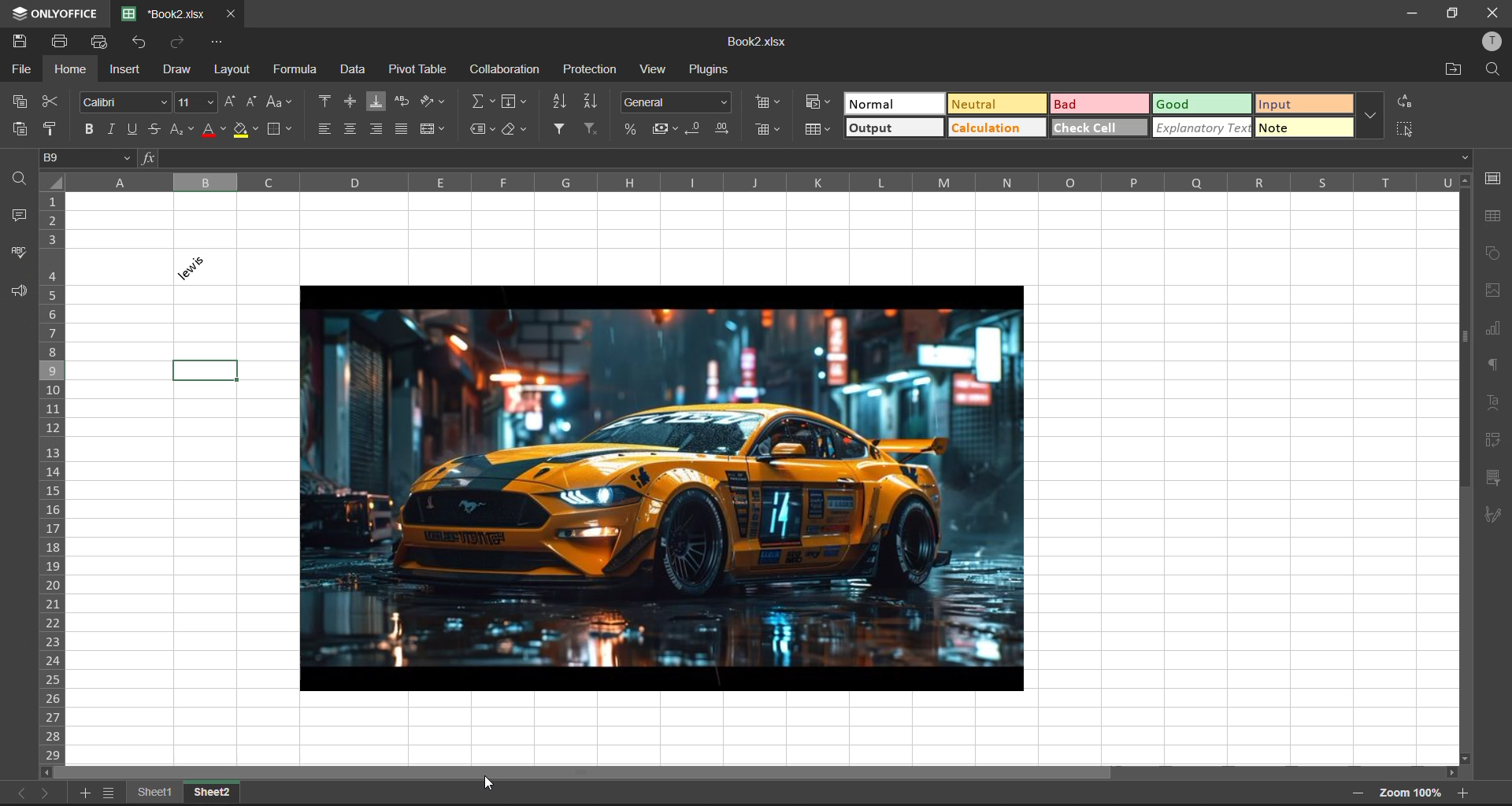 This screenshot has width=1512, height=806. What do you see at coordinates (53, 129) in the screenshot?
I see `copy style` at bounding box center [53, 129].